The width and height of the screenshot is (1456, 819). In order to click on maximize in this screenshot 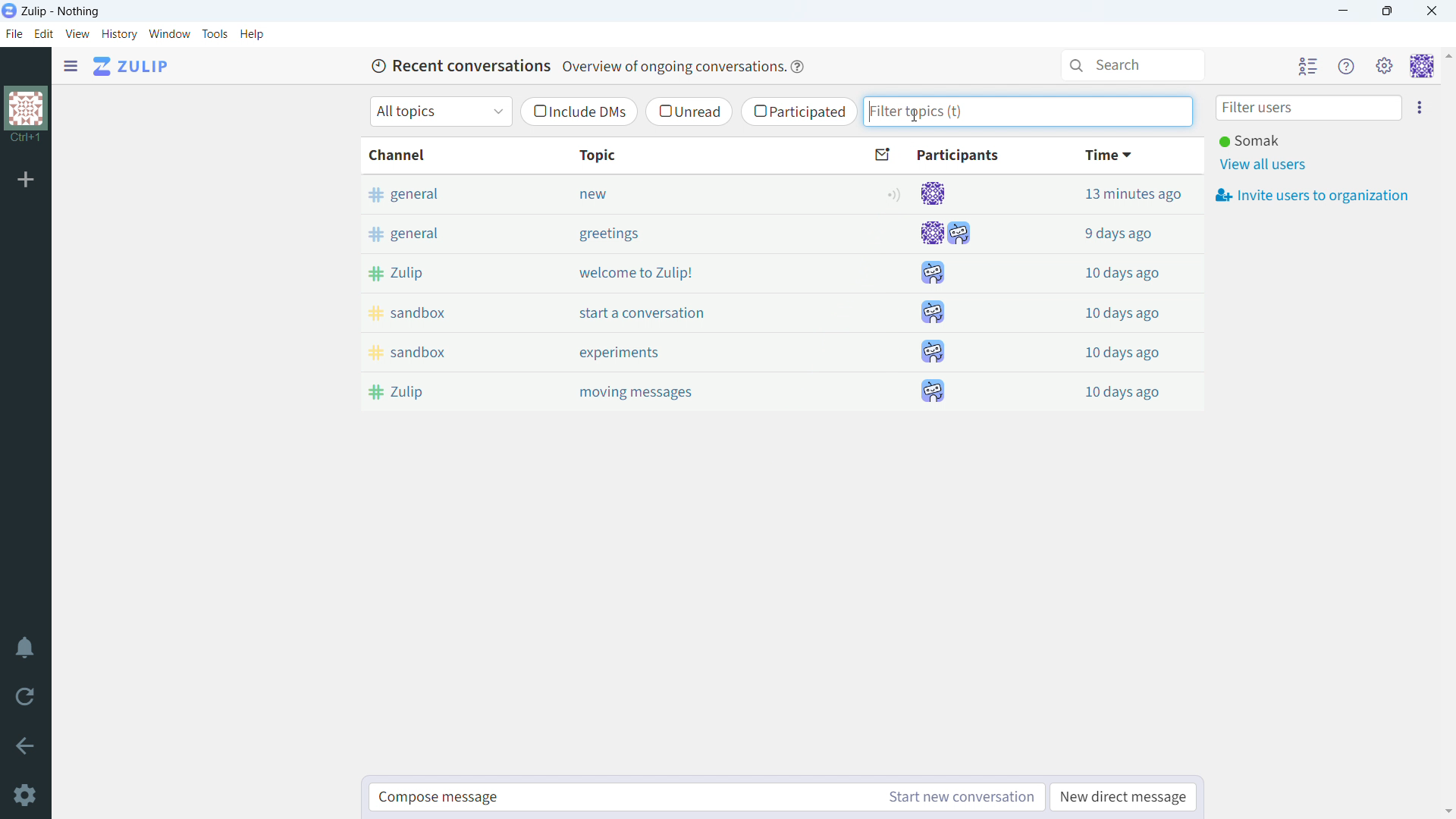, I will do `click(1388, 11)`.